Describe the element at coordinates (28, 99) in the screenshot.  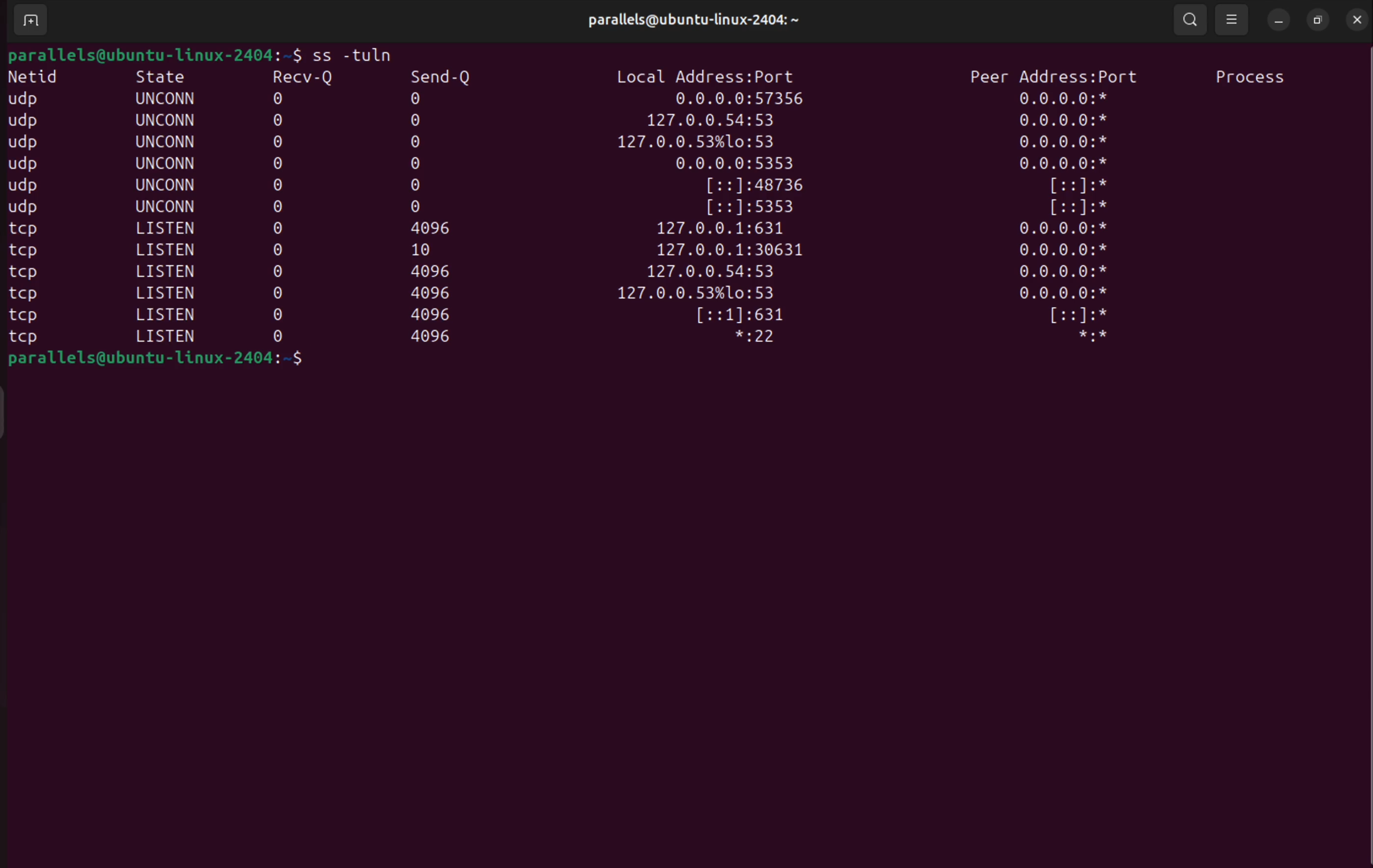
I see `udp` at that location.